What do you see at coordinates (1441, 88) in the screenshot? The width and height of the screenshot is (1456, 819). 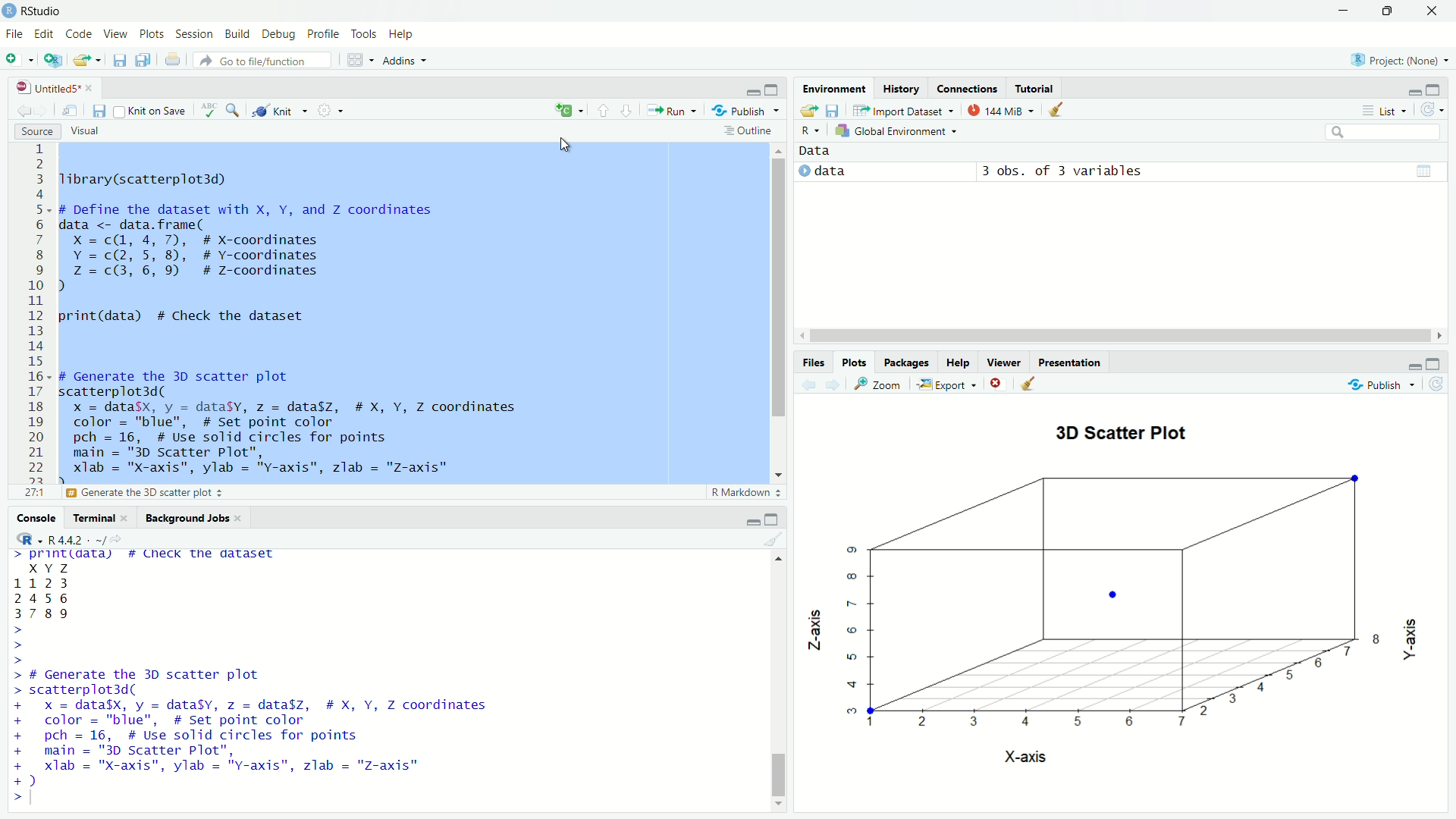 I see `maximize` at bounding box center [1441, 88].